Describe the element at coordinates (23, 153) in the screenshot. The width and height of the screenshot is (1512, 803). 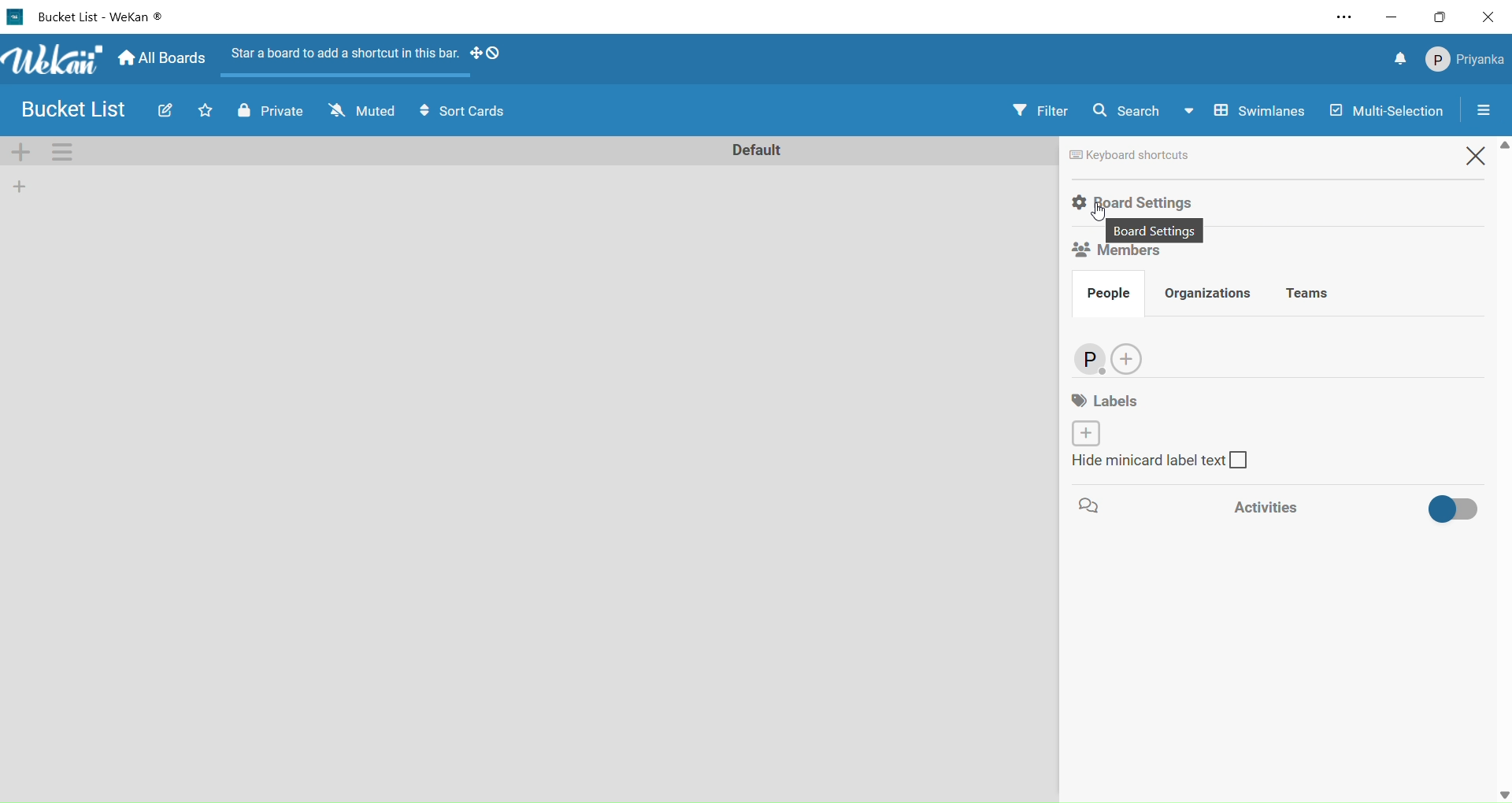
I see `add swimlane` at that location.